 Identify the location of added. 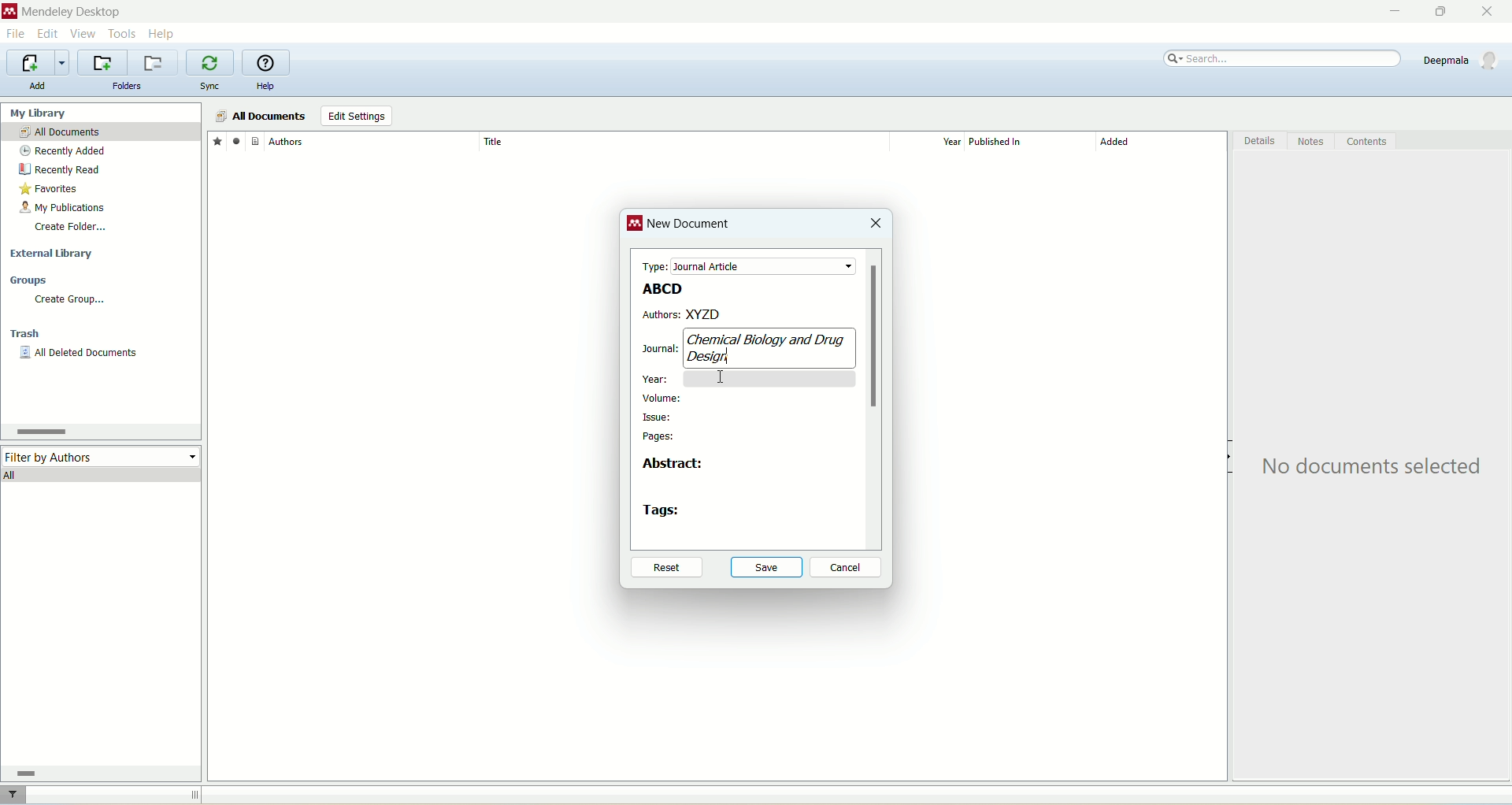
(1162, 146).